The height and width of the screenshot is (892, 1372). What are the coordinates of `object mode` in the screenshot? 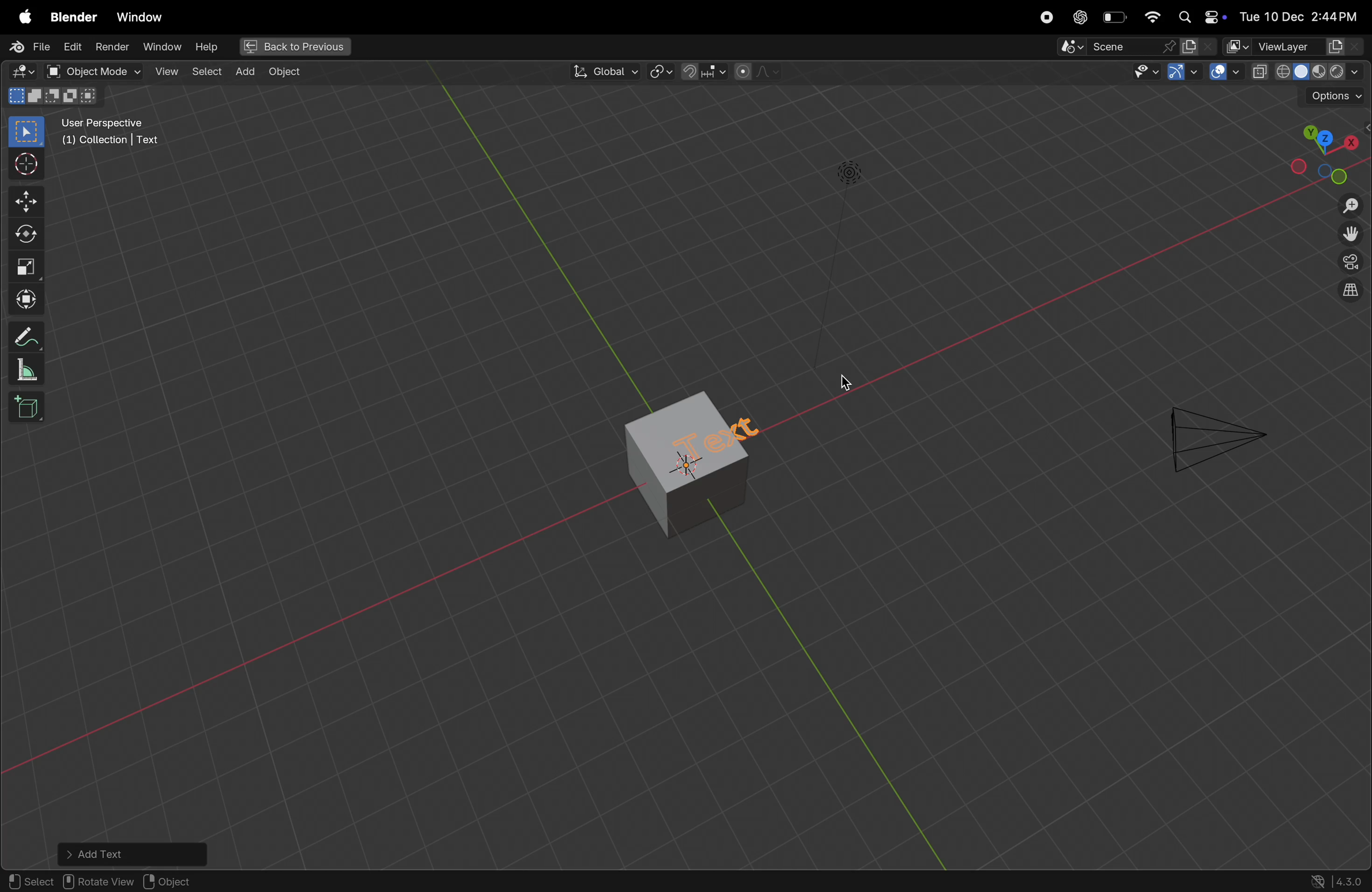 It's located at (95, 72).